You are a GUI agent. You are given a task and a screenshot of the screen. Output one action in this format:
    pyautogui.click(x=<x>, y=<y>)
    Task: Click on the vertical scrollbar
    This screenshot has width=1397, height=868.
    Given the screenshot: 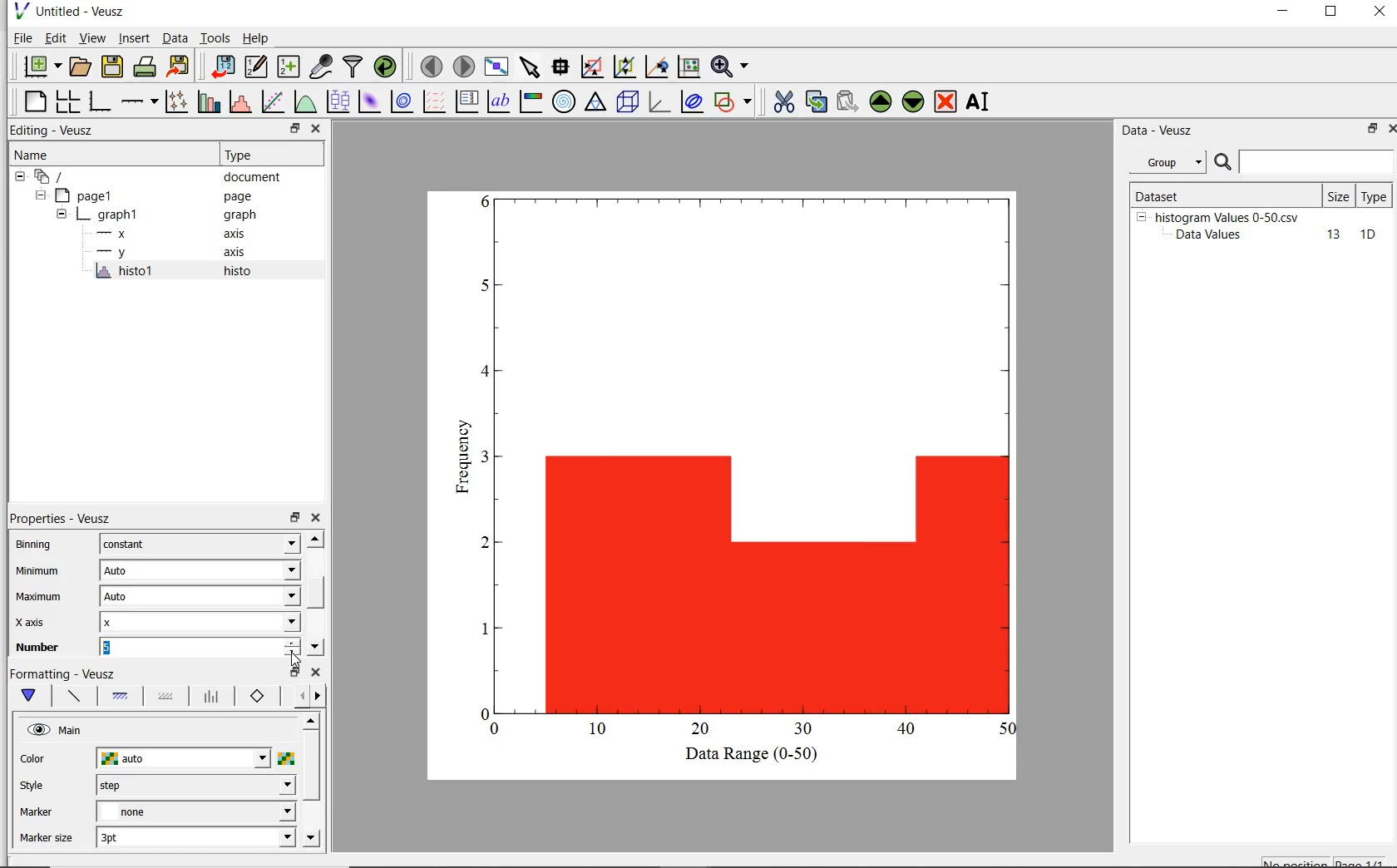 What is the action you would take?
    pyautogui.click(x=311, y=767)
    